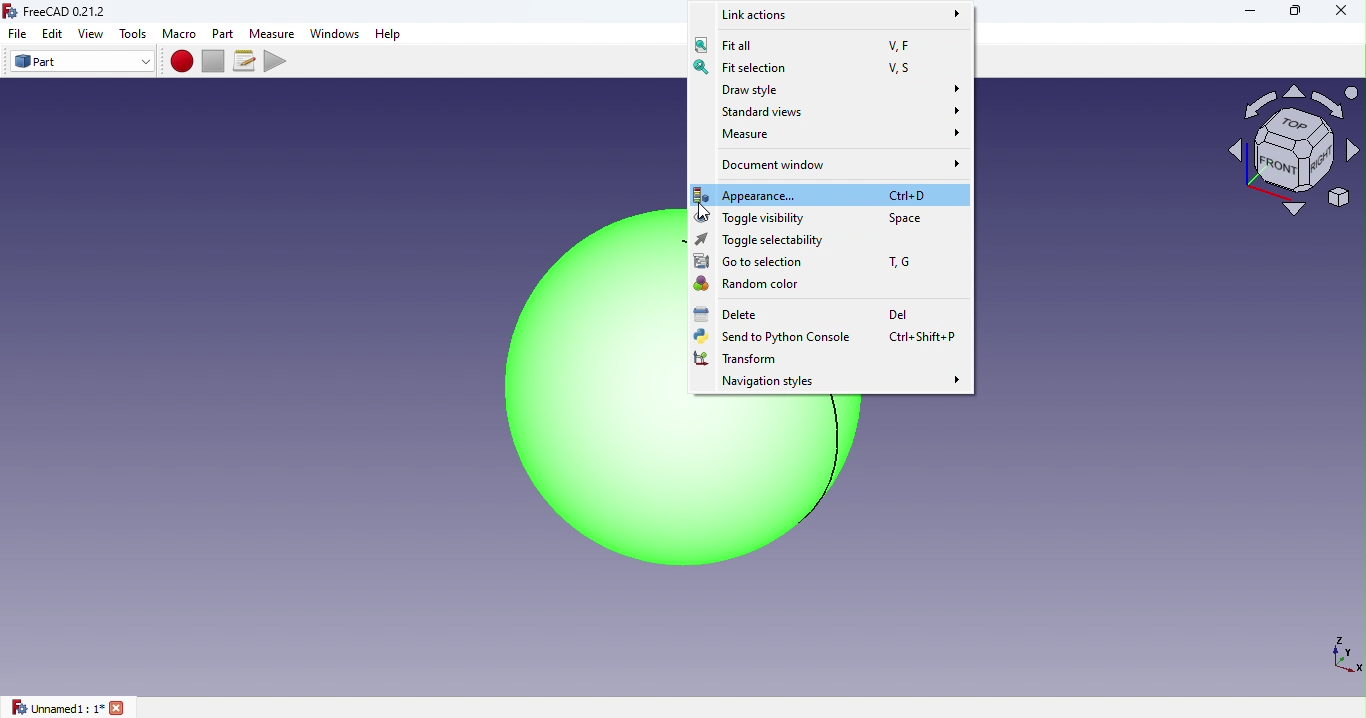 The width and height of the screenshot is (1366, 718). Describe the element at coordinates (734, 360) in the screenshot. I see `Transform` at that location.